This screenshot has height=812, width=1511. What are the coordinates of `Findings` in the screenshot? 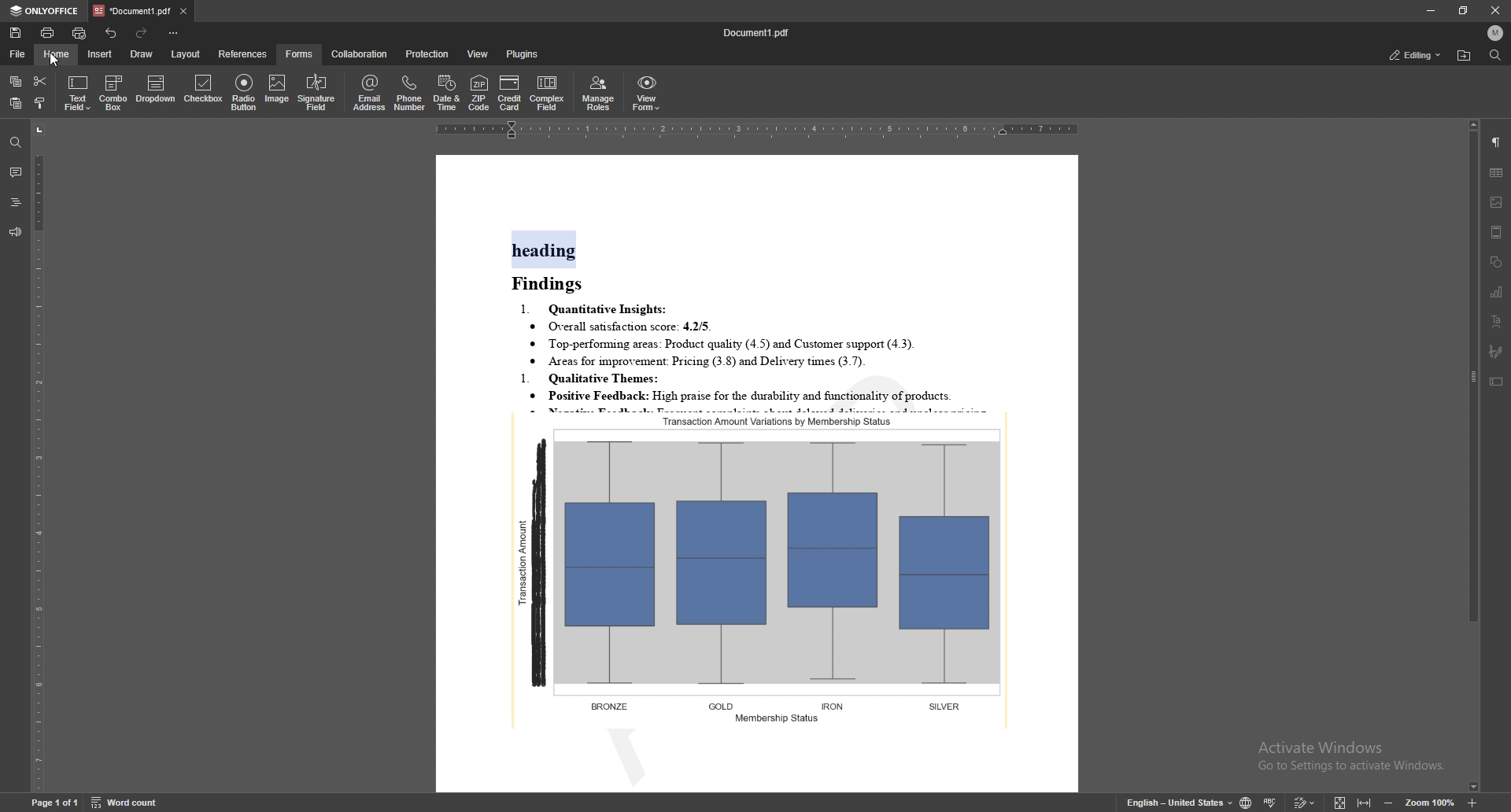 It's located at (554, 284).